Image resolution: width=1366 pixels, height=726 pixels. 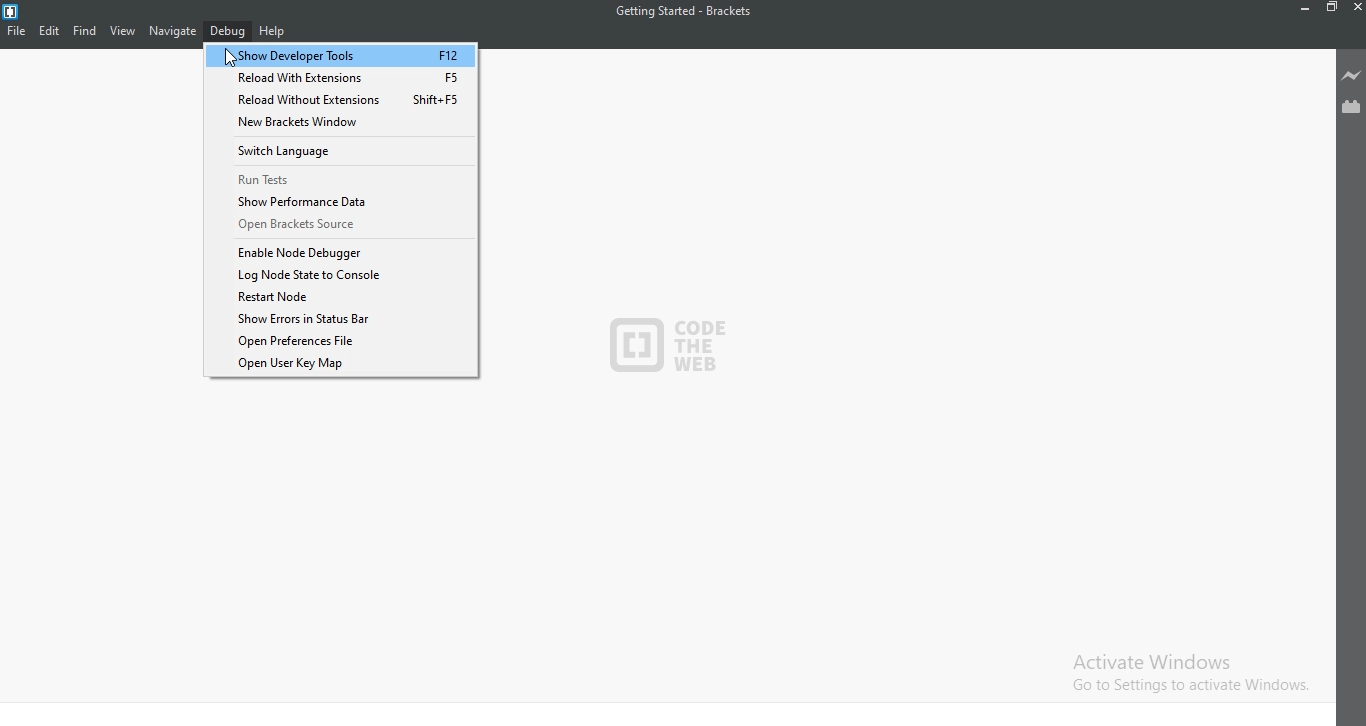 What do you see at coordinates (335, 342) in the screenshot?
I see `Open Preferences File` at bounding box center [335, 342].